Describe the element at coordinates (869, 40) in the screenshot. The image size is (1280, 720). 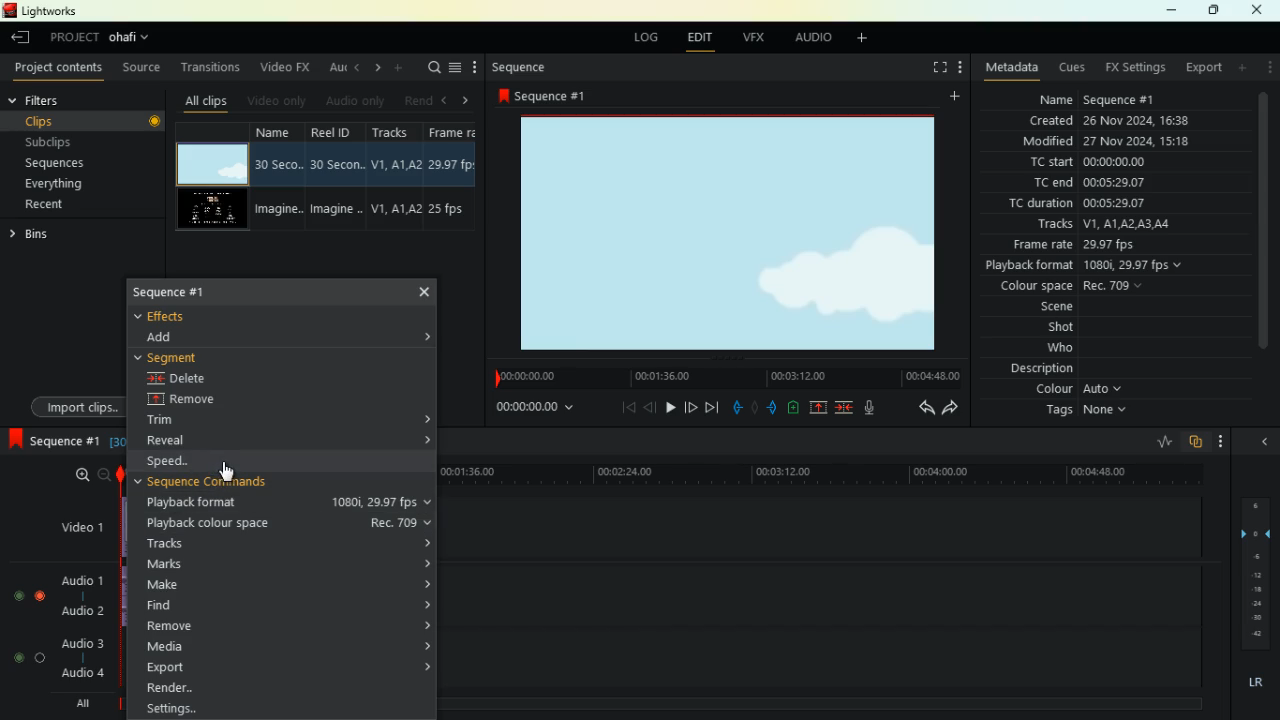
I see `add` at that location.